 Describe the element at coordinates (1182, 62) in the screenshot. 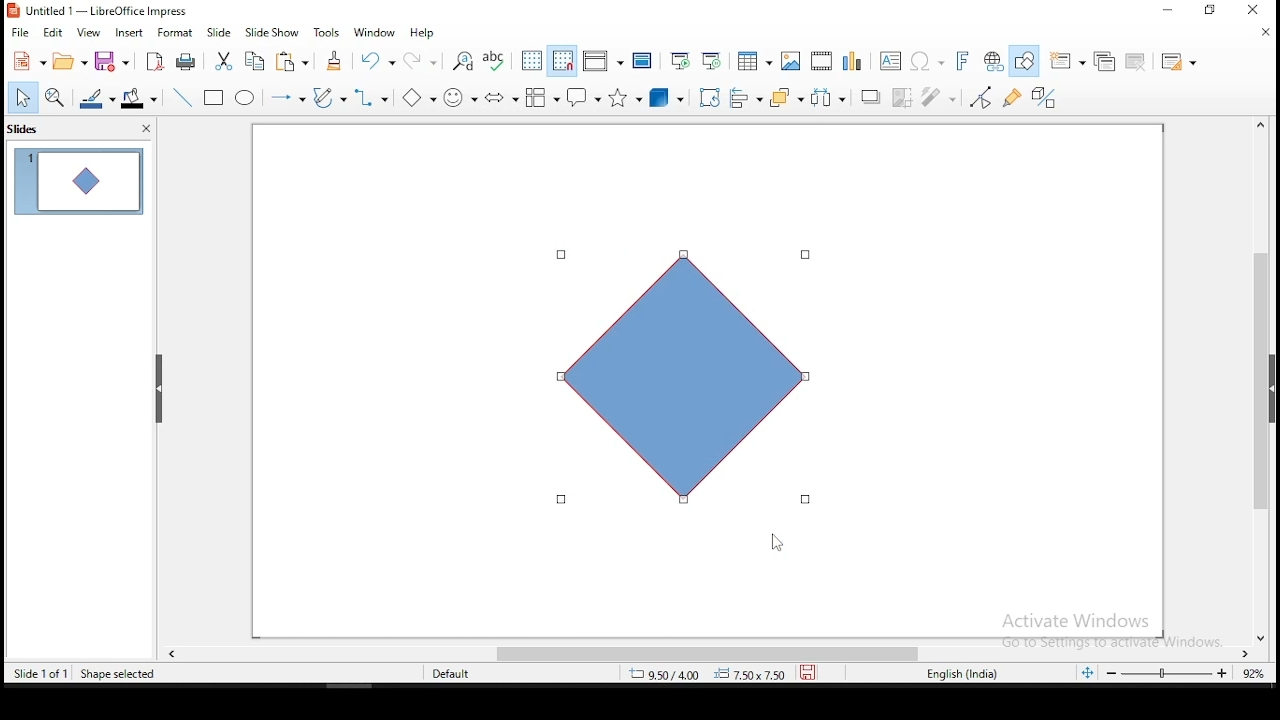

I see `slide layout` at that location.